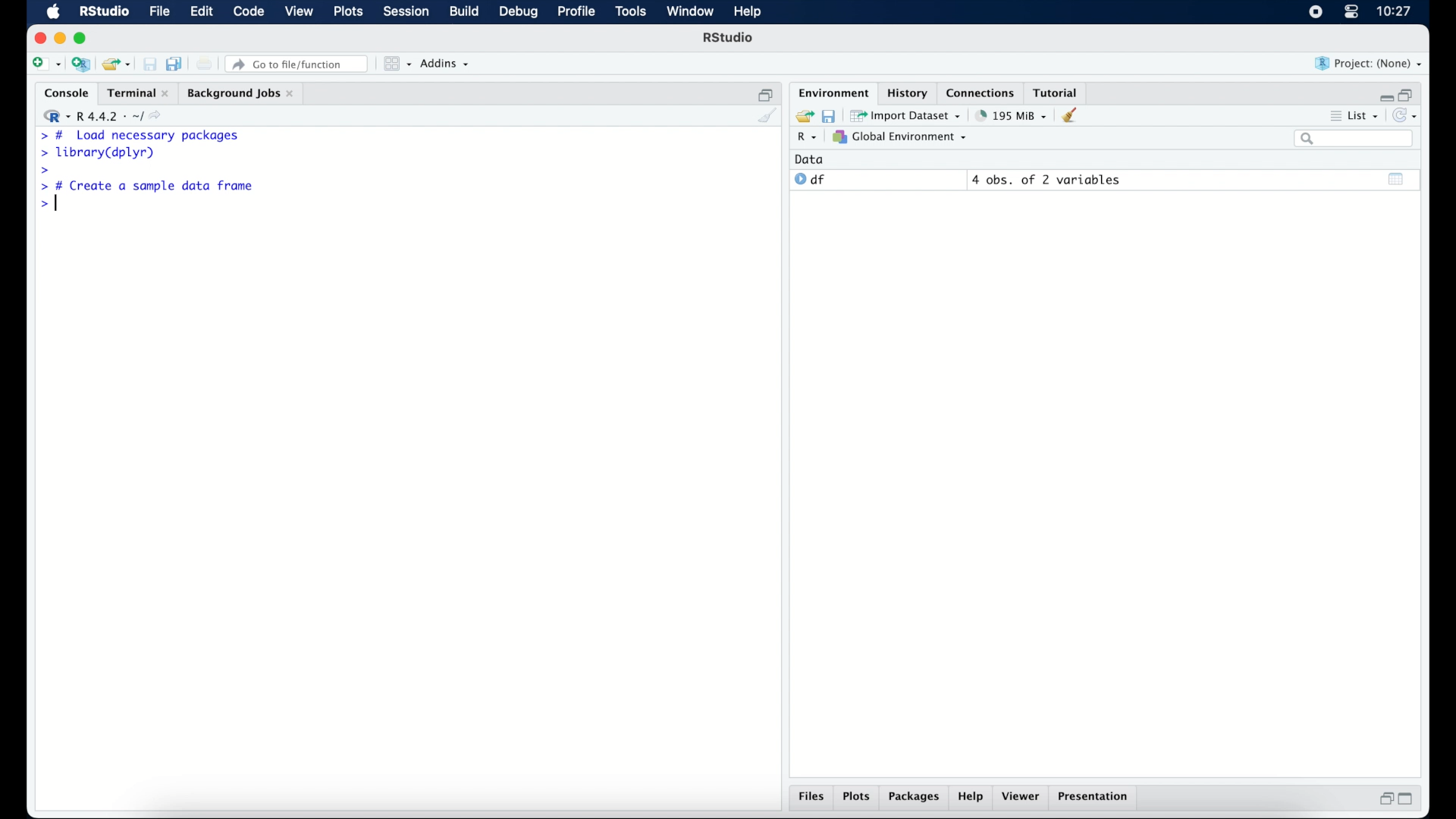 The image size is (1456, 819). What do you see at coordinates (240, 93) in the screenshot?
I see `background jobs` at bounding box center [240, 93].